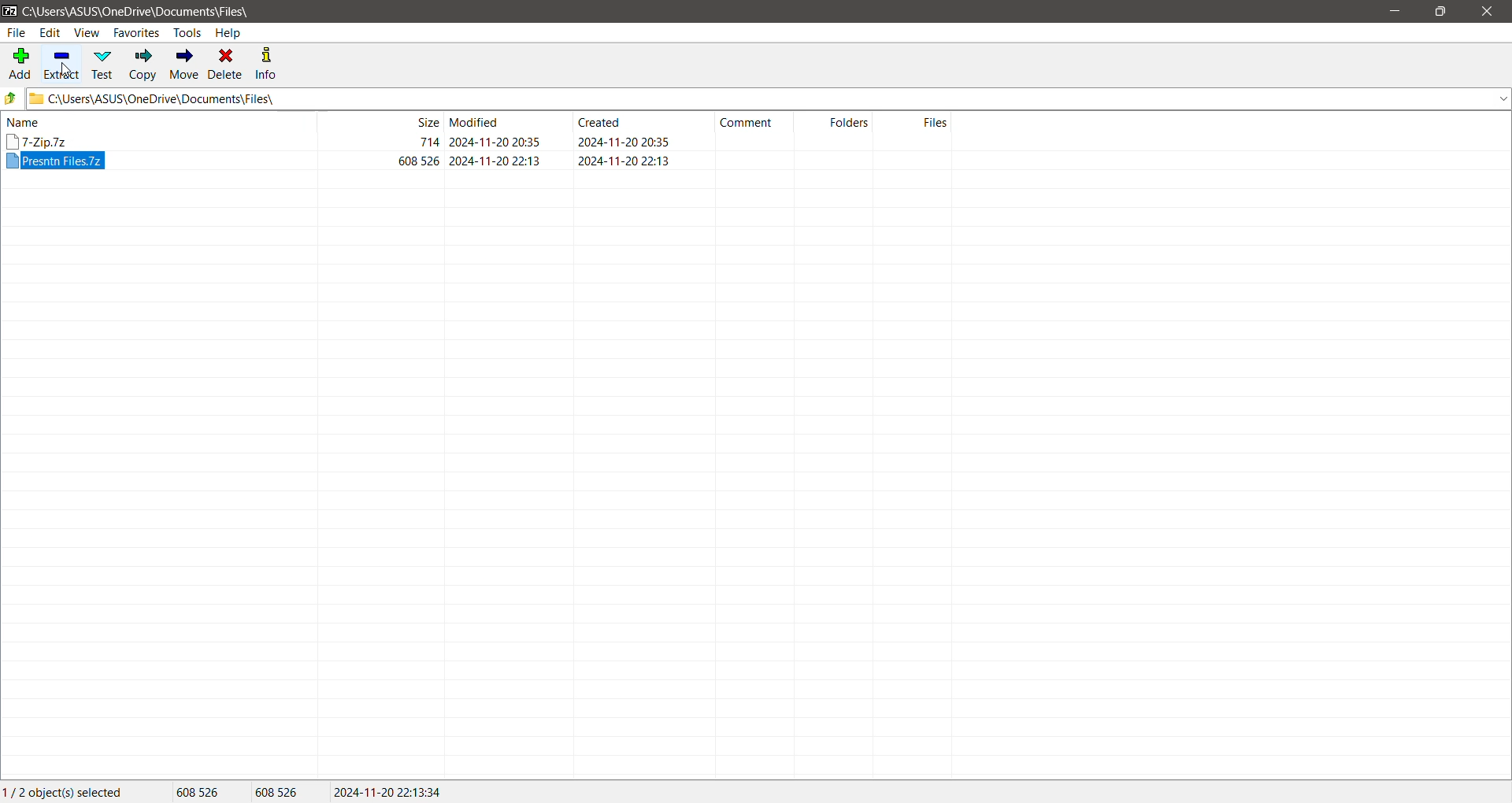 The height and width of the screenshot is (803, 1512). I want to click on created, so click(599, 121).